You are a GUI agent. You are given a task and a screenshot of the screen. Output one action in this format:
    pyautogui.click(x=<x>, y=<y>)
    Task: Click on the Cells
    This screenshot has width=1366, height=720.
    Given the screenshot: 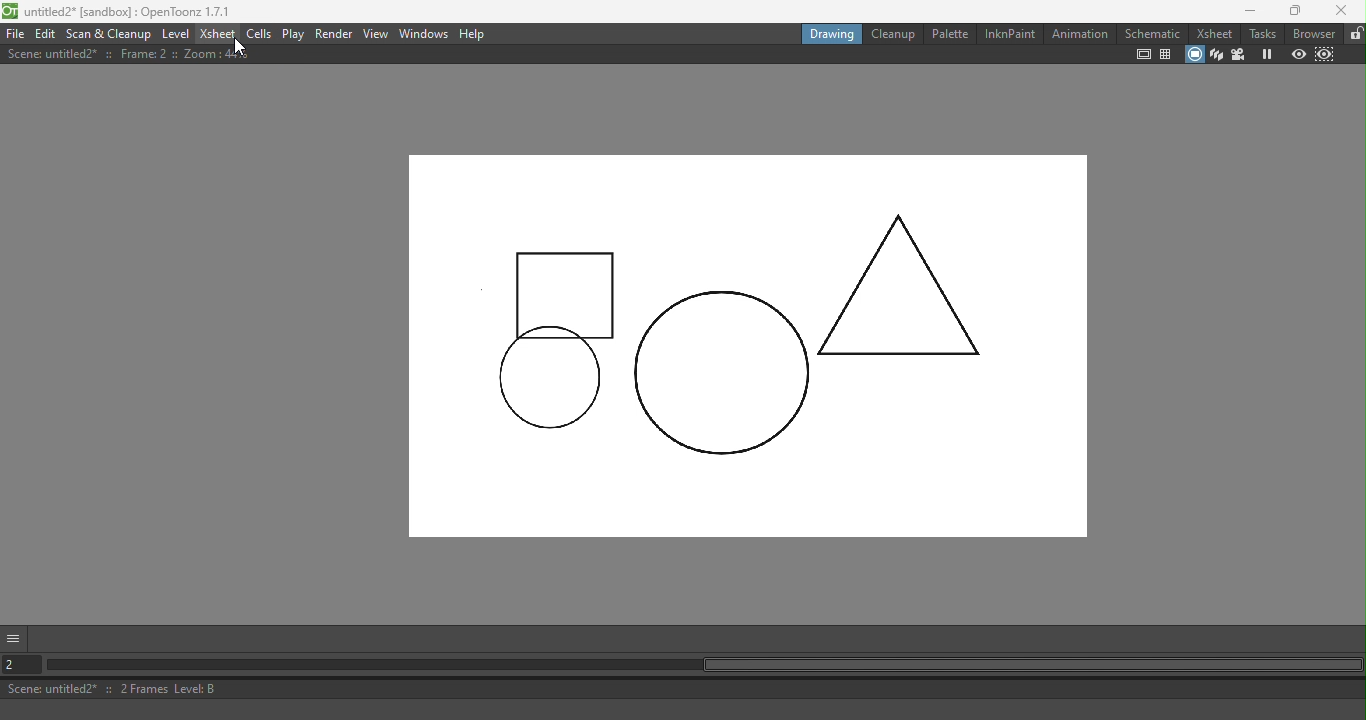 What is the action you would take?
    pyautogui.click(x=258, y=33)
    